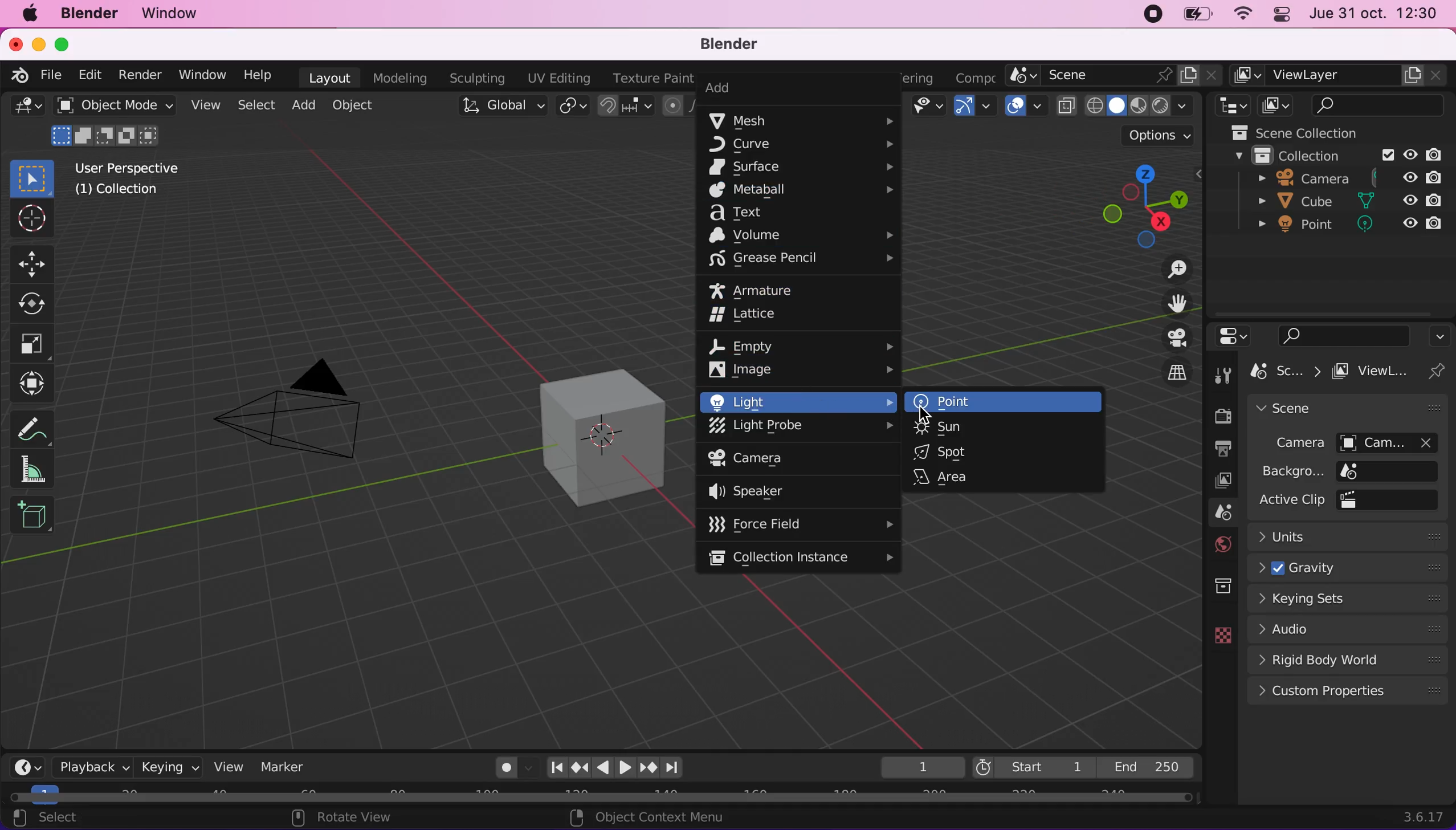  I want to click on recording stopped, so click(1155, 15).